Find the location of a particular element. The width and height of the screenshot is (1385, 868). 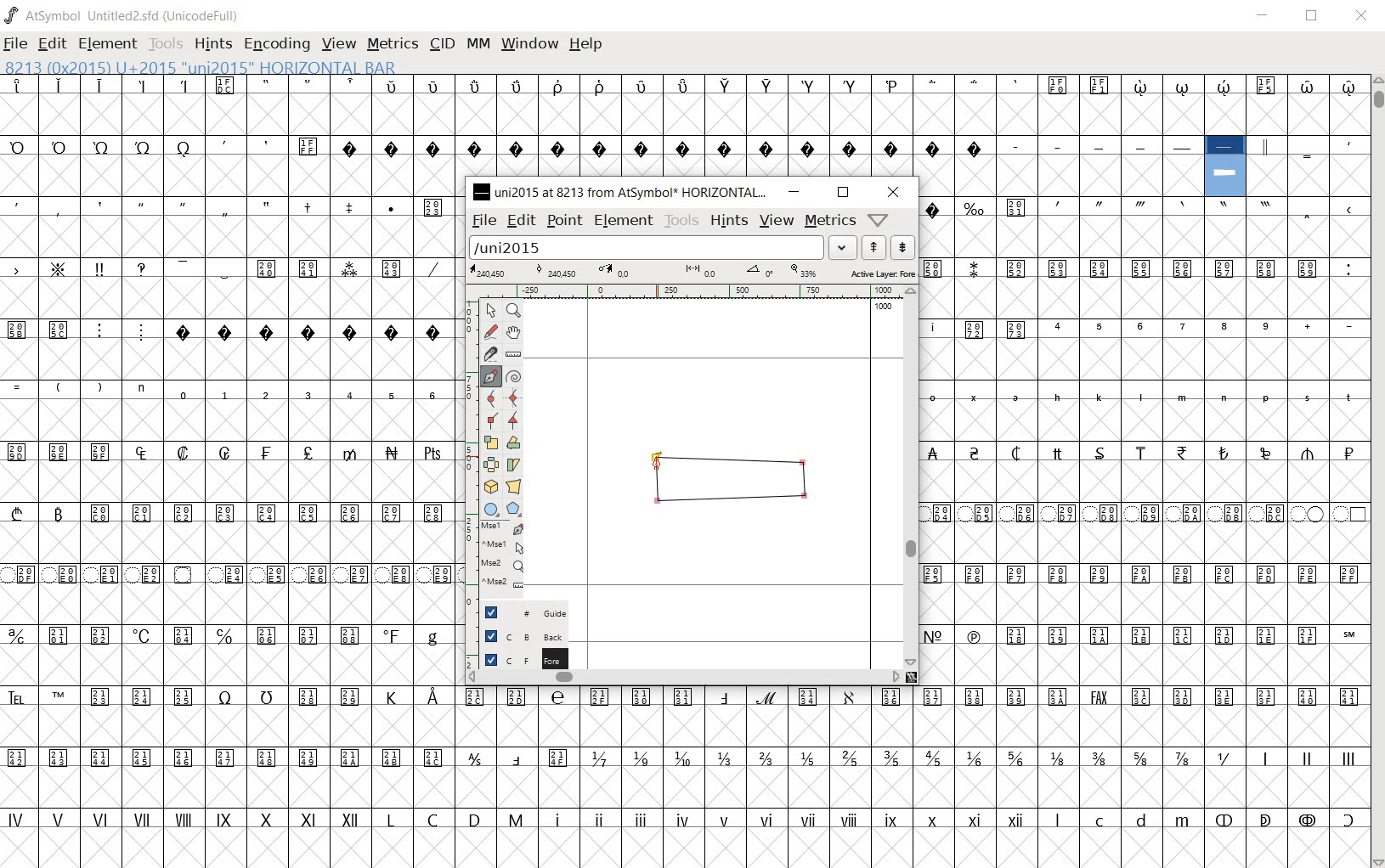

CLOSE is located at coordinates (1363, 19).